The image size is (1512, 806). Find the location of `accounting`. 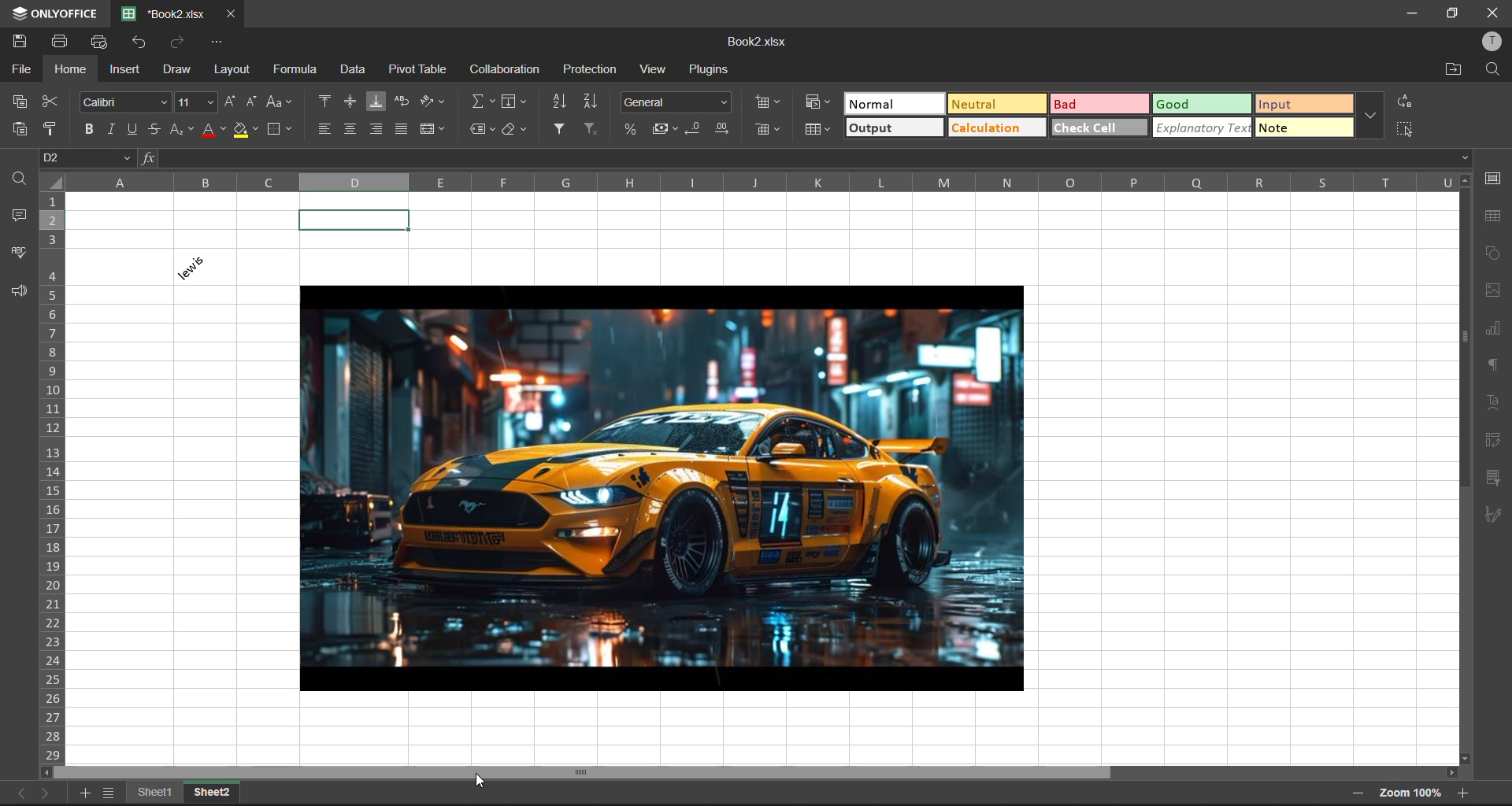

accounting is located at coordinates (666, 129).